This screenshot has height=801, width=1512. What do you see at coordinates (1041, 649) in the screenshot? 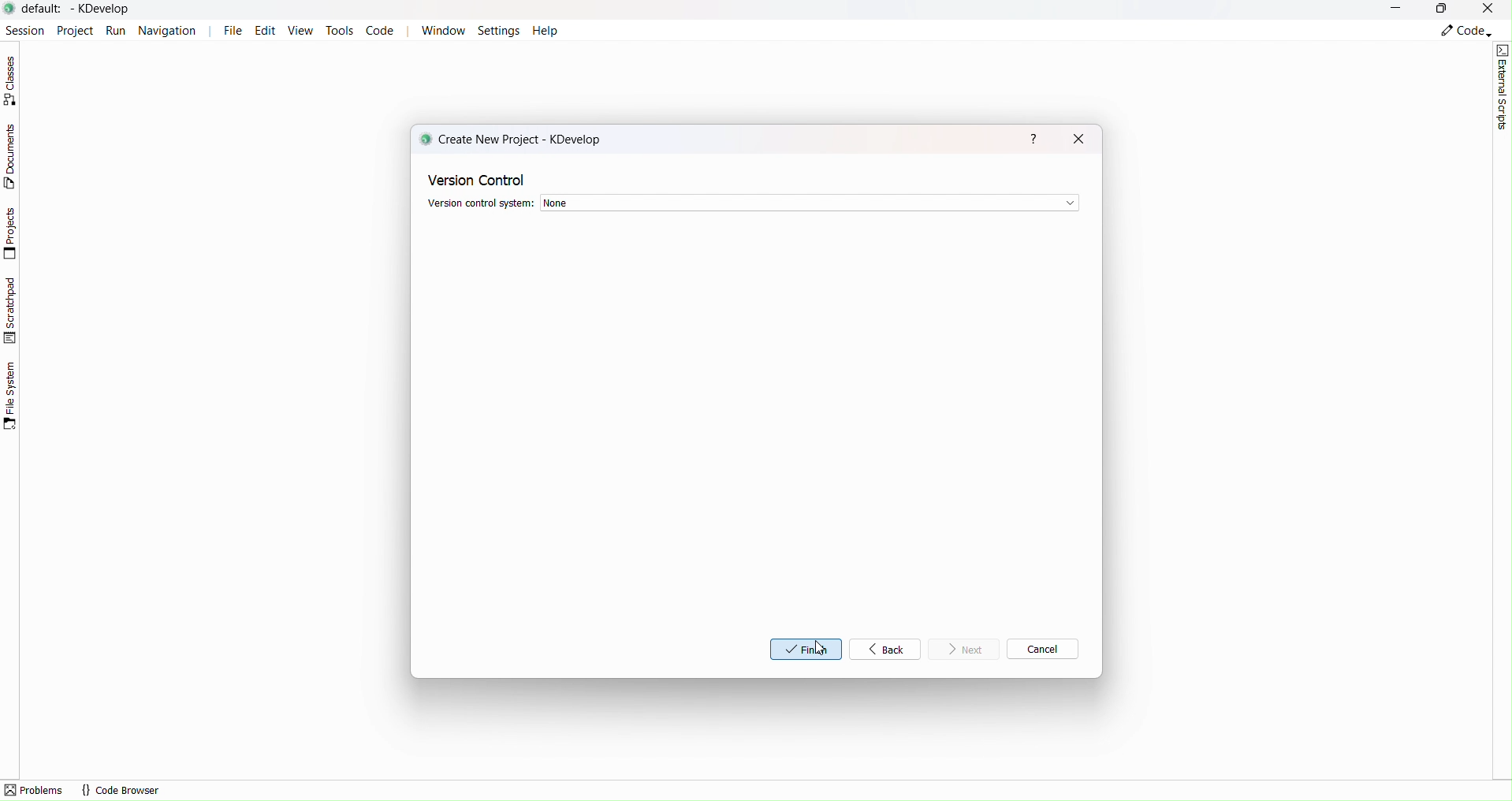
I see `Cancel` at bounding box center [1041, 649].